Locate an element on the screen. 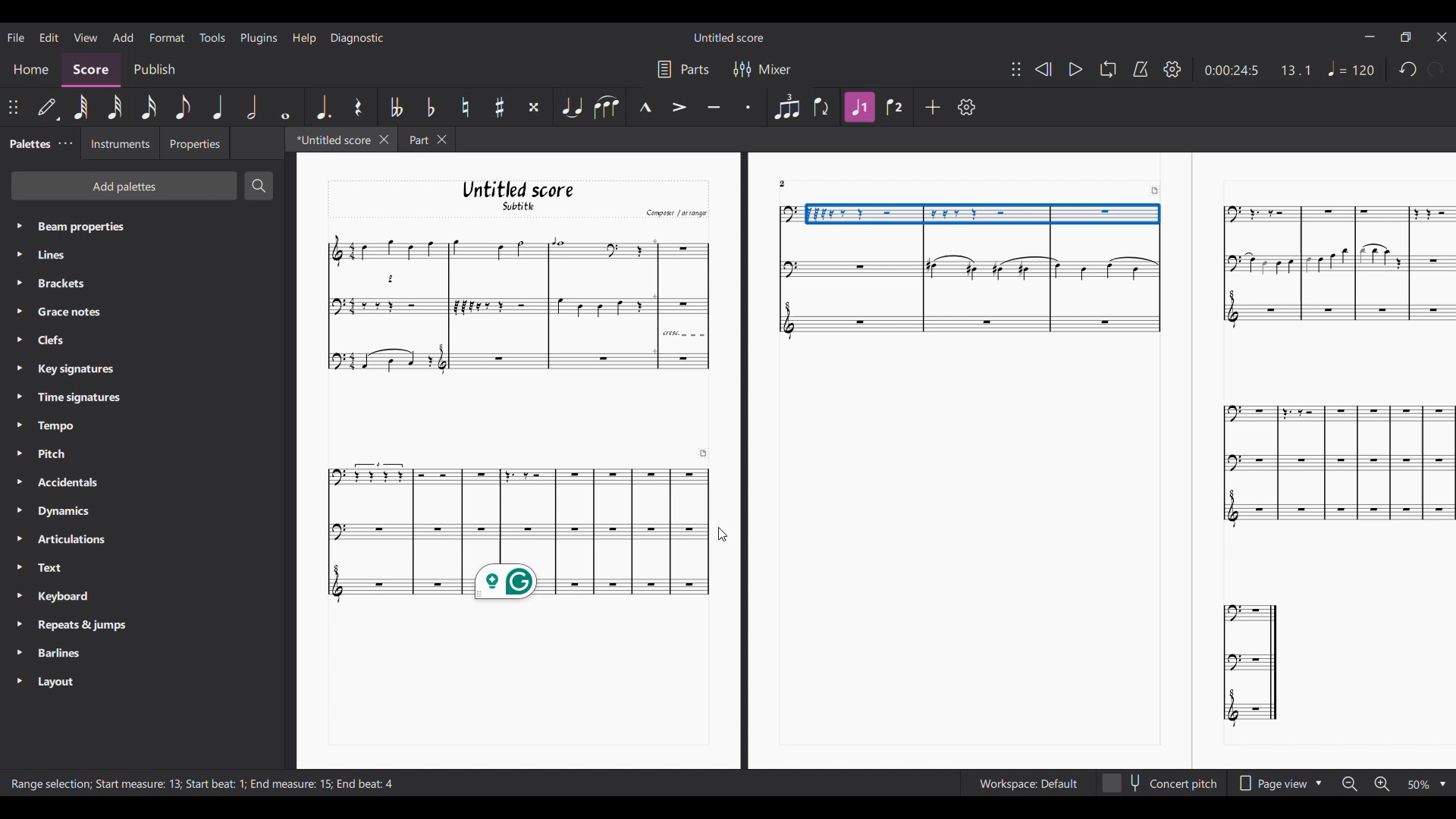  Toggle double flat is located at coordinates (397, 107).